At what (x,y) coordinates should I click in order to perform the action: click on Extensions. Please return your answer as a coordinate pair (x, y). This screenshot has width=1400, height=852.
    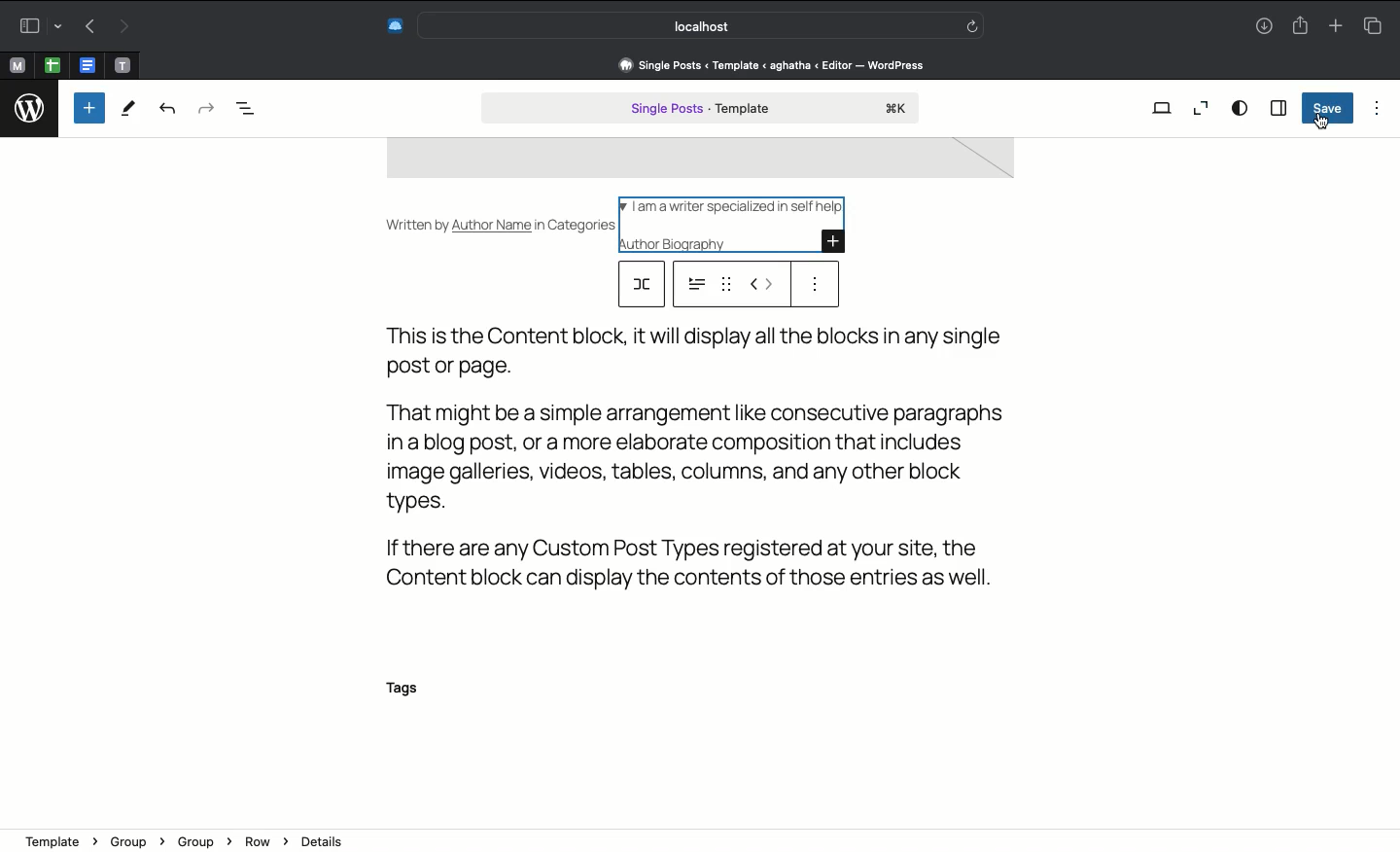
    Looking at the image, I should click on (393, 25).